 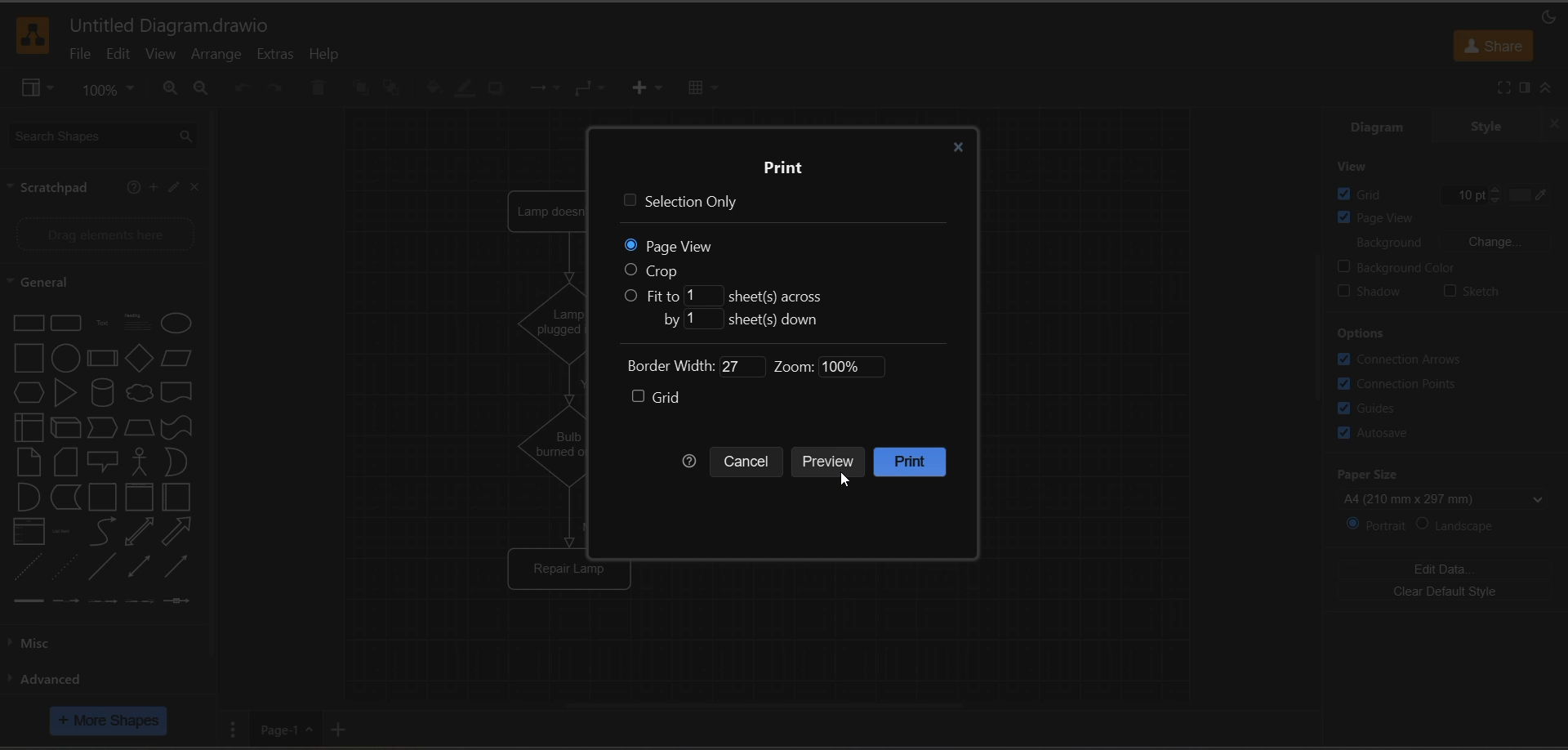 I want to click on advanced, so click(x=59, y=681).